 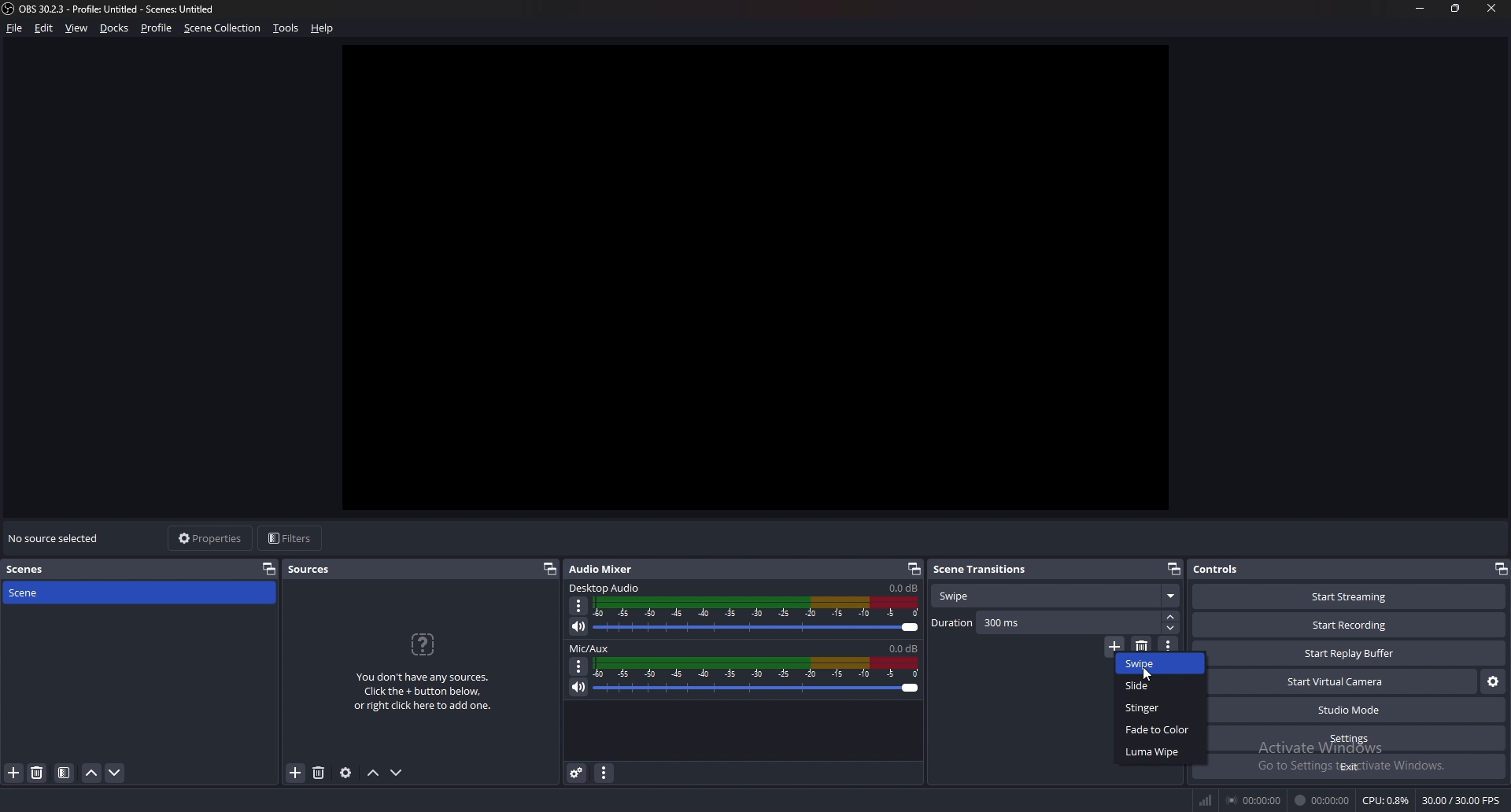 I want to click on pop out, so click(x=269, y=569).